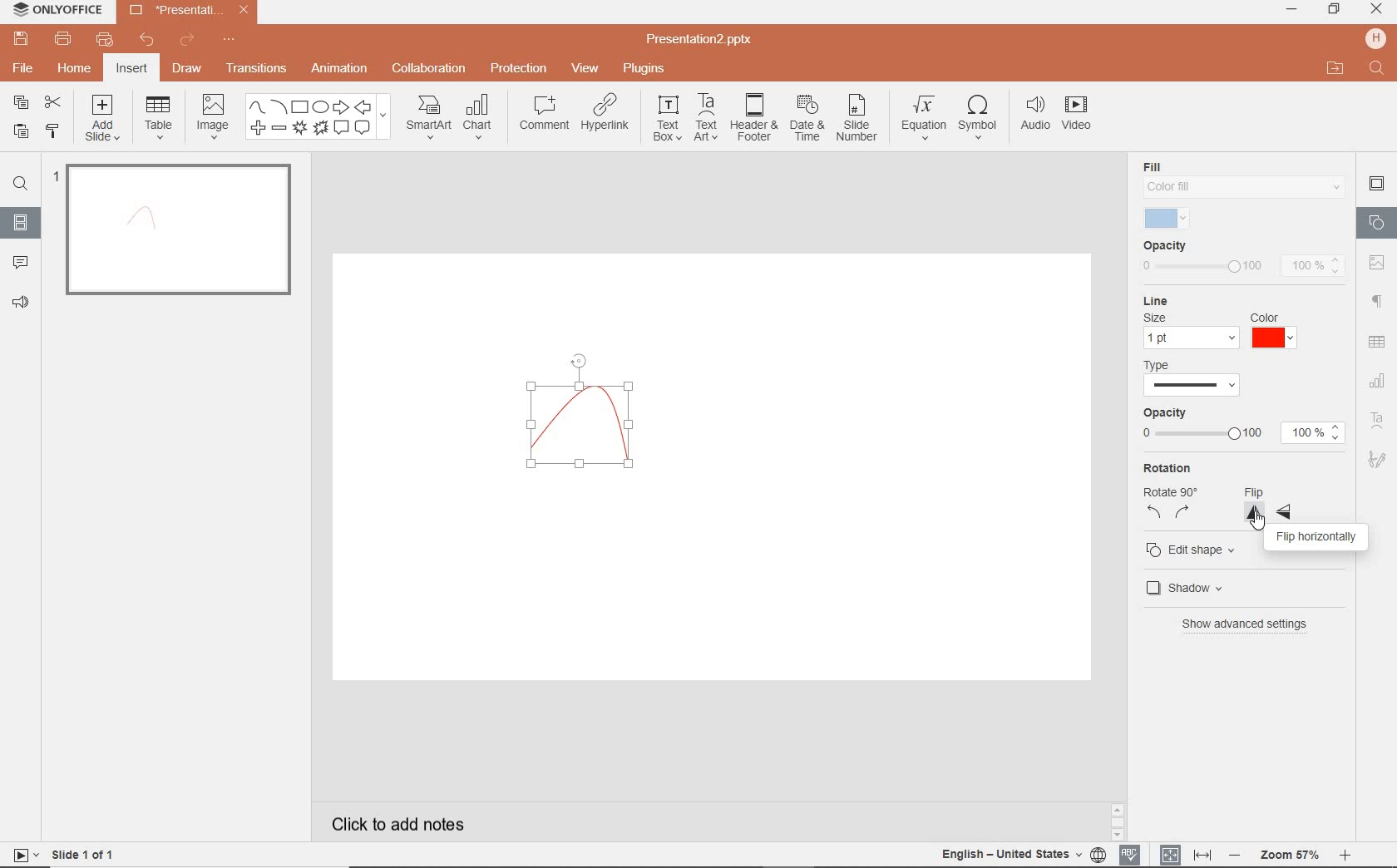 This screenshot has width=1397, height=868. I want to click on CUSTOMIZE QUICK ACCESS TOOLBAR, so click(229, 42).